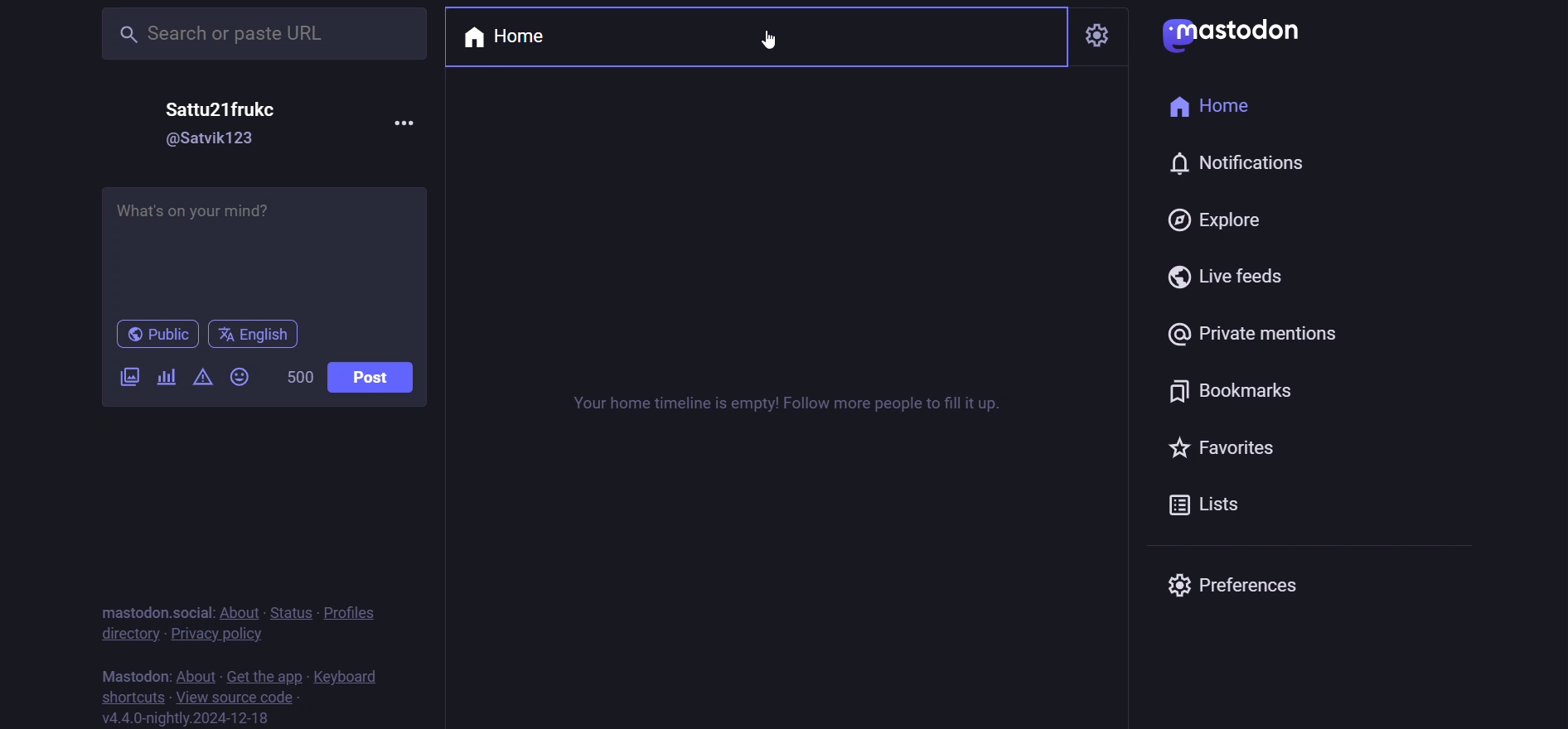 This screenshot has height=729, width=1568. I want to click on content warning, so click(204, 376).